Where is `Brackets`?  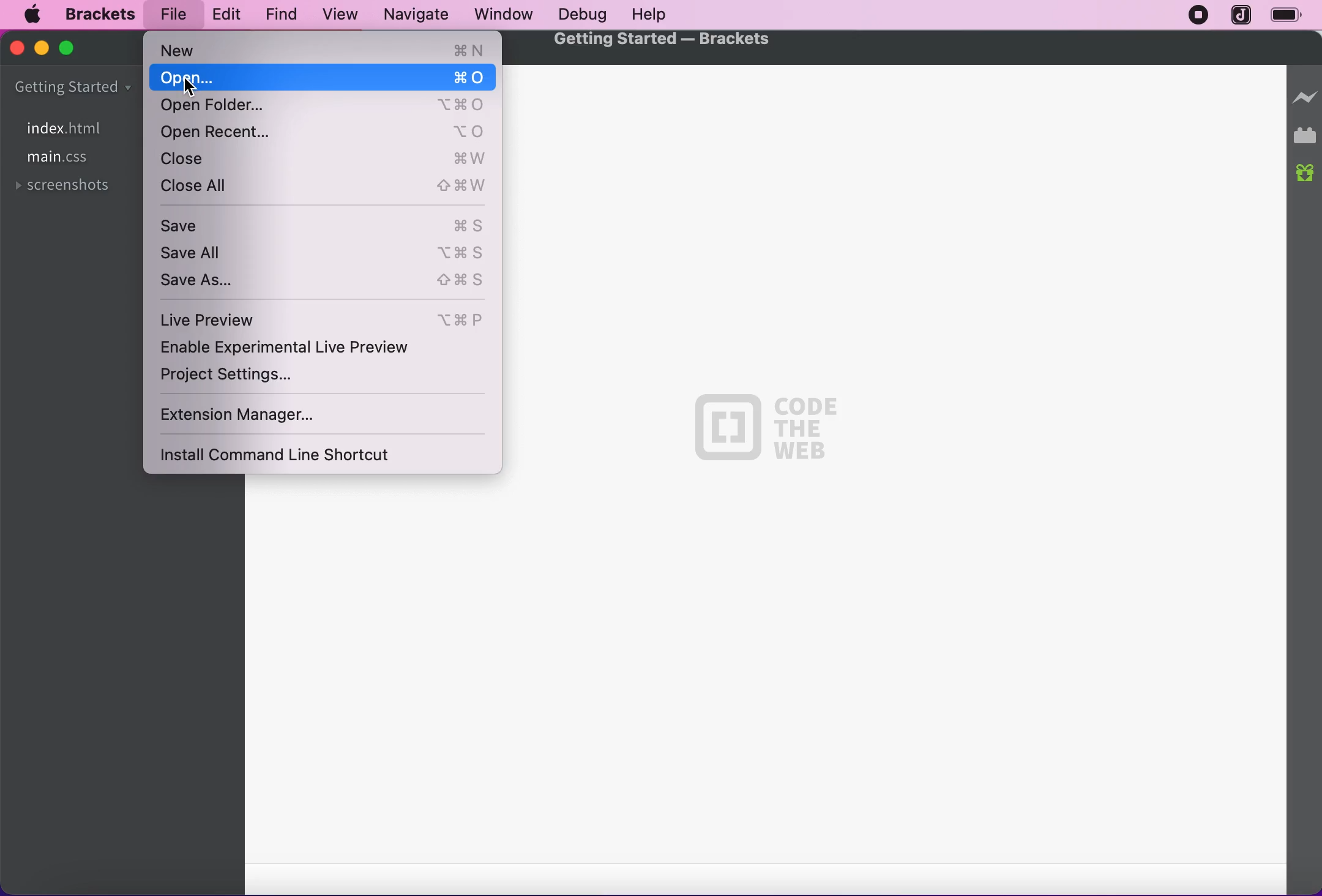 Brackets is located at coordinates (100, 15).